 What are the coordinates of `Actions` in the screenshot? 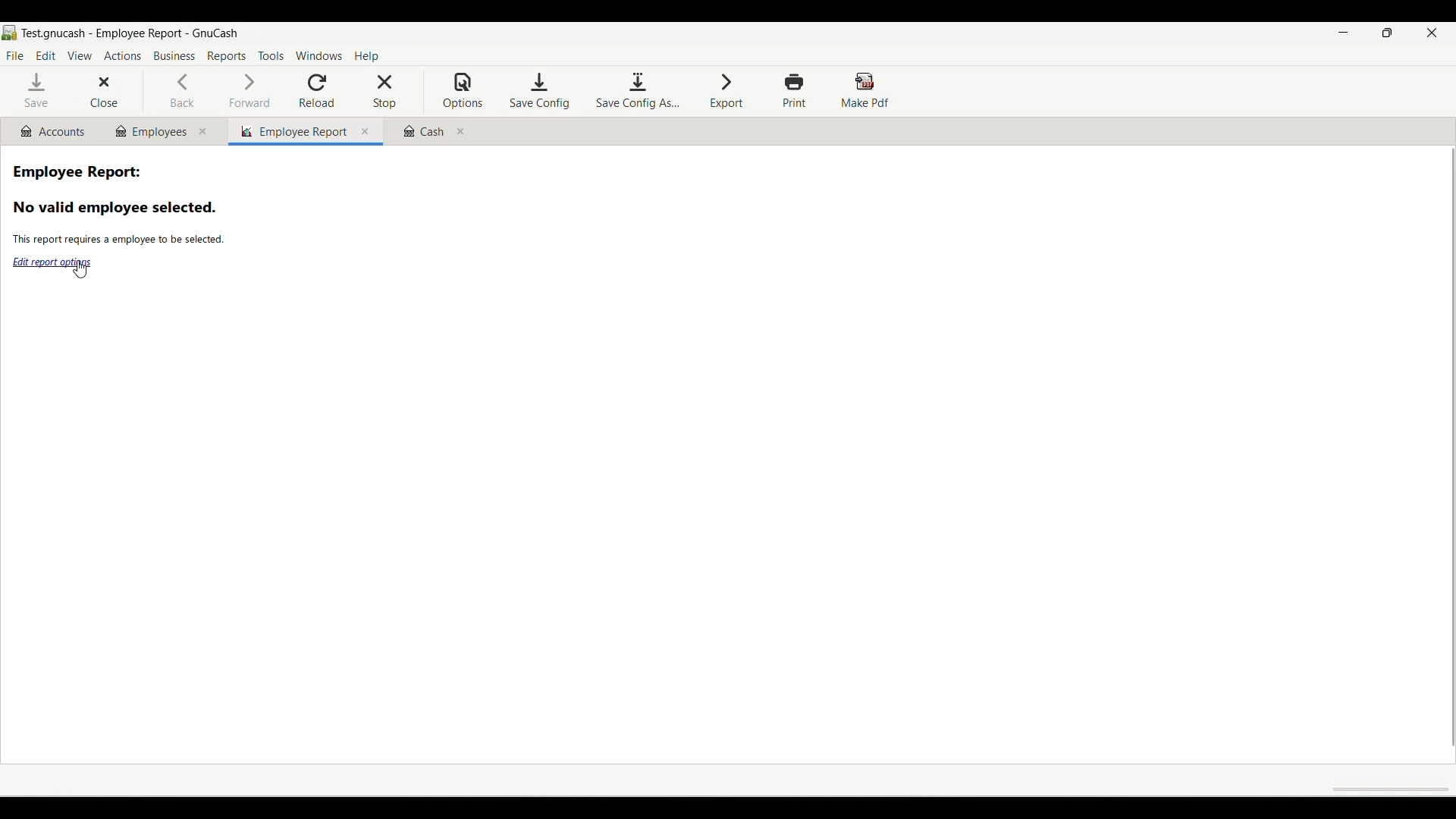 It's located at (122, 55).